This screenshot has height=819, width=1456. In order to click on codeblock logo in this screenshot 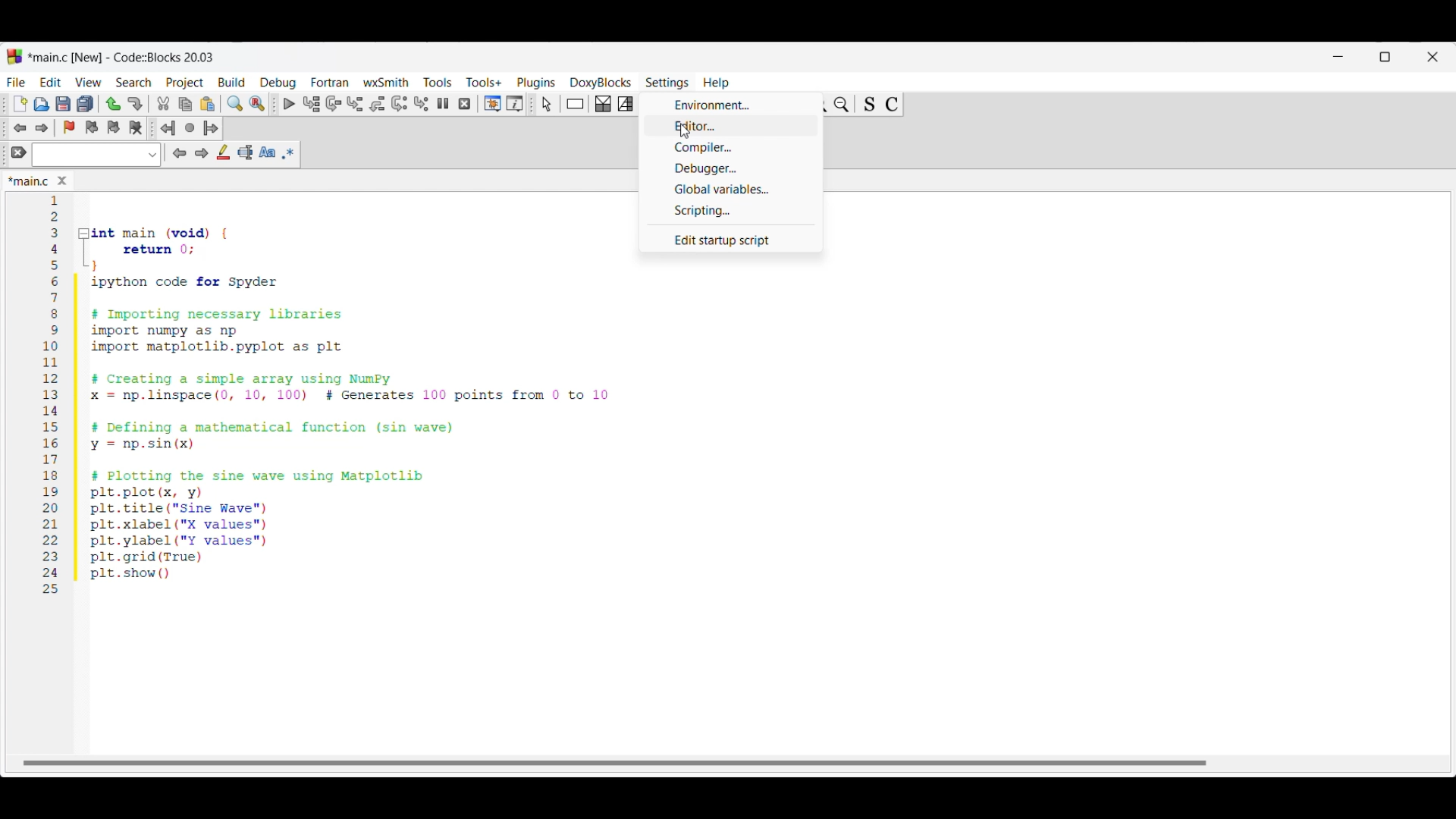, I will do `click(14, 57)`.